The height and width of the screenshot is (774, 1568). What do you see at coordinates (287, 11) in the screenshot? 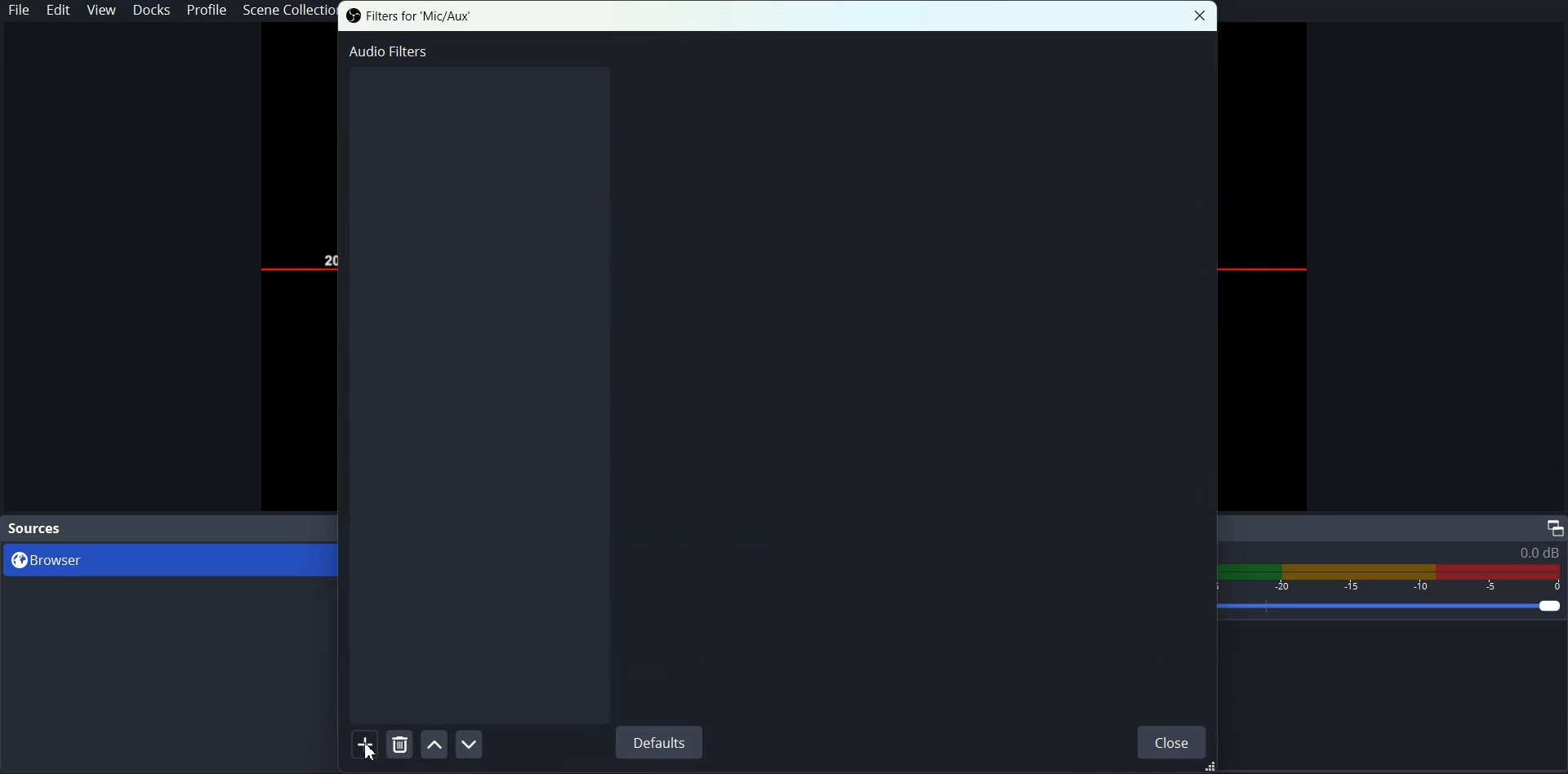
I see `Scene Collection` at bounding box center [287, 11].